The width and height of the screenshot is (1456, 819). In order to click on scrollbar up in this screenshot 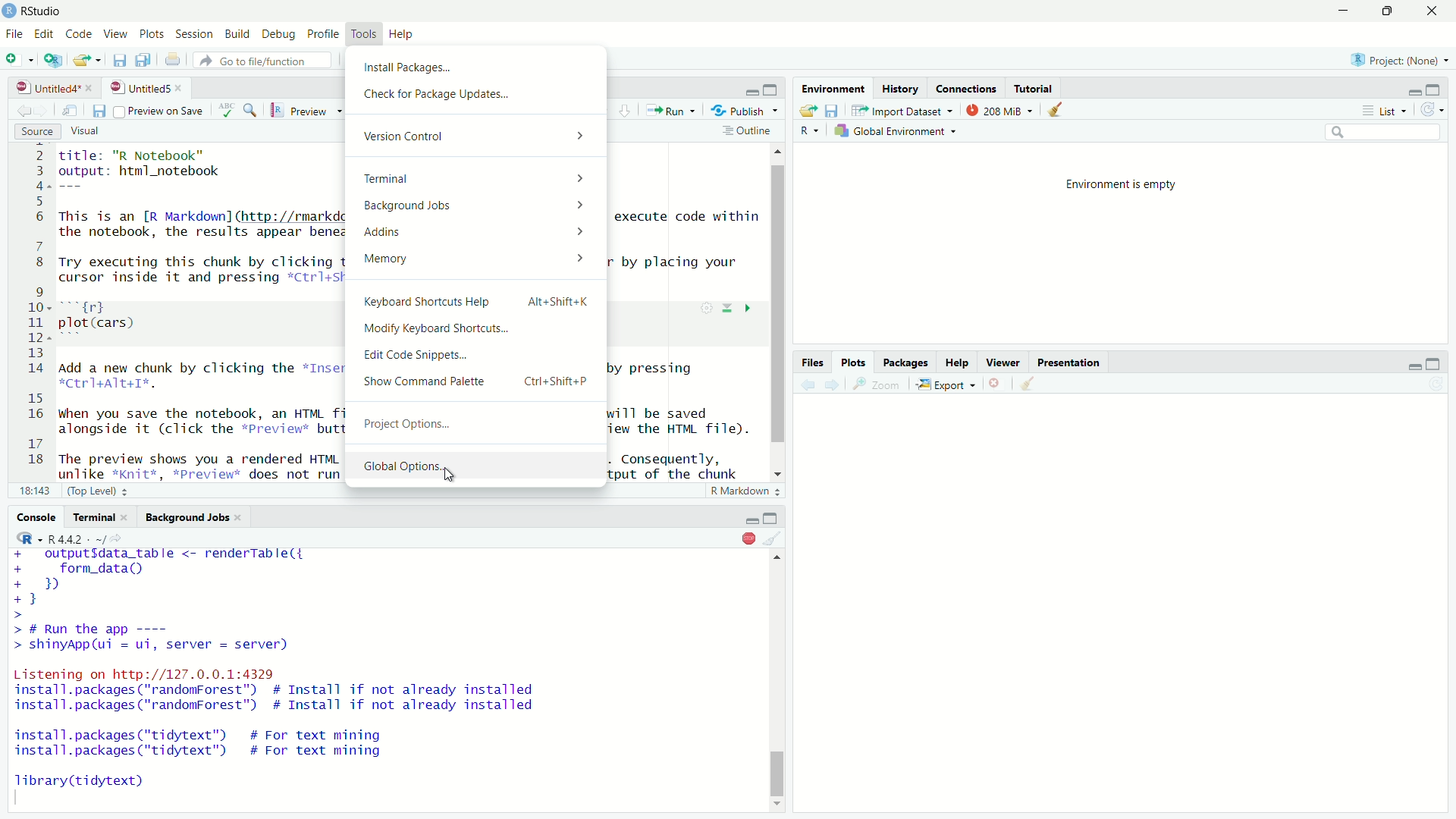, I will do `click(778, 557)`.